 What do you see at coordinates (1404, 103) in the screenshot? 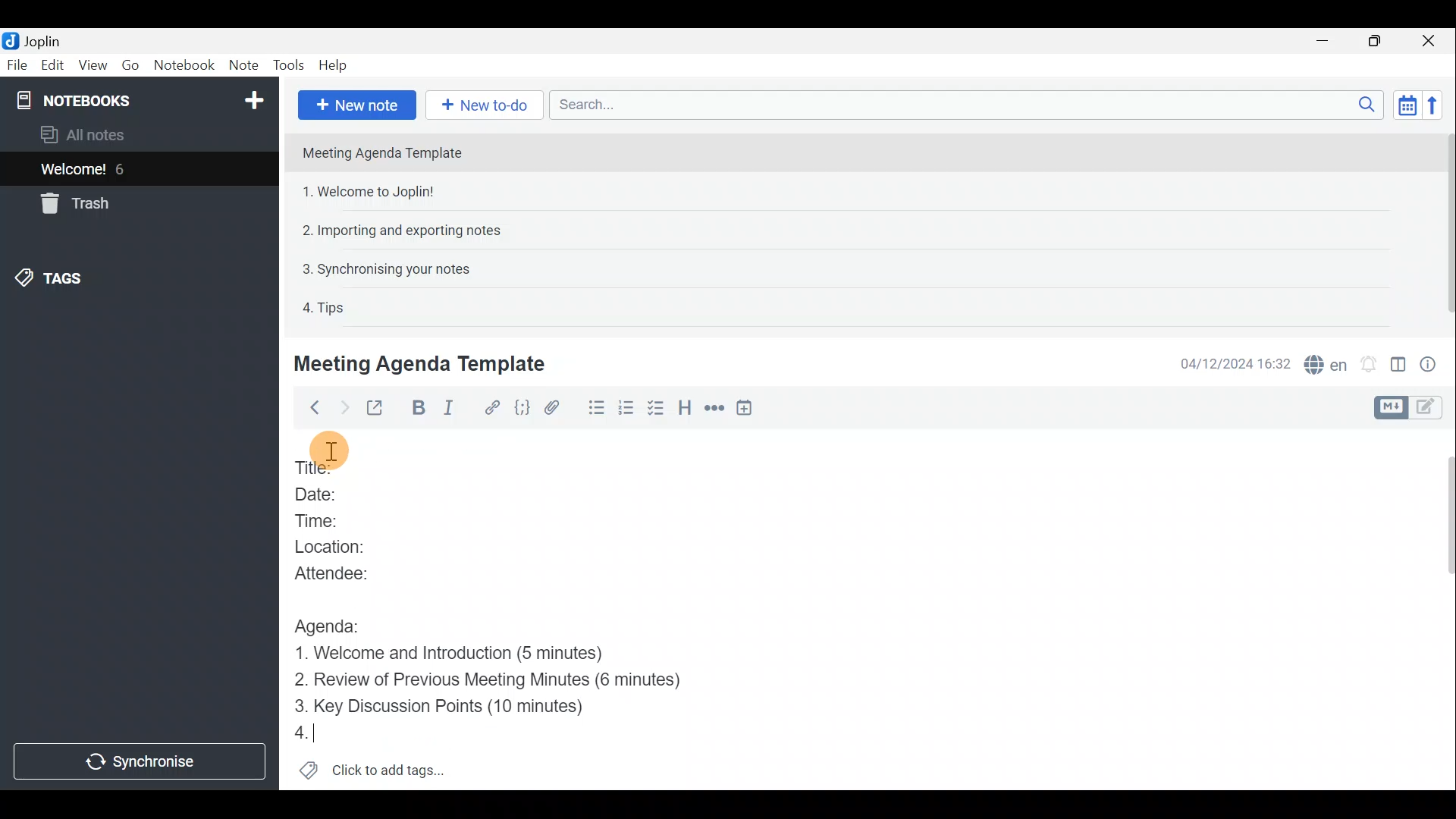
I see `Toggle sort order` at bounding box center [1404, 103].